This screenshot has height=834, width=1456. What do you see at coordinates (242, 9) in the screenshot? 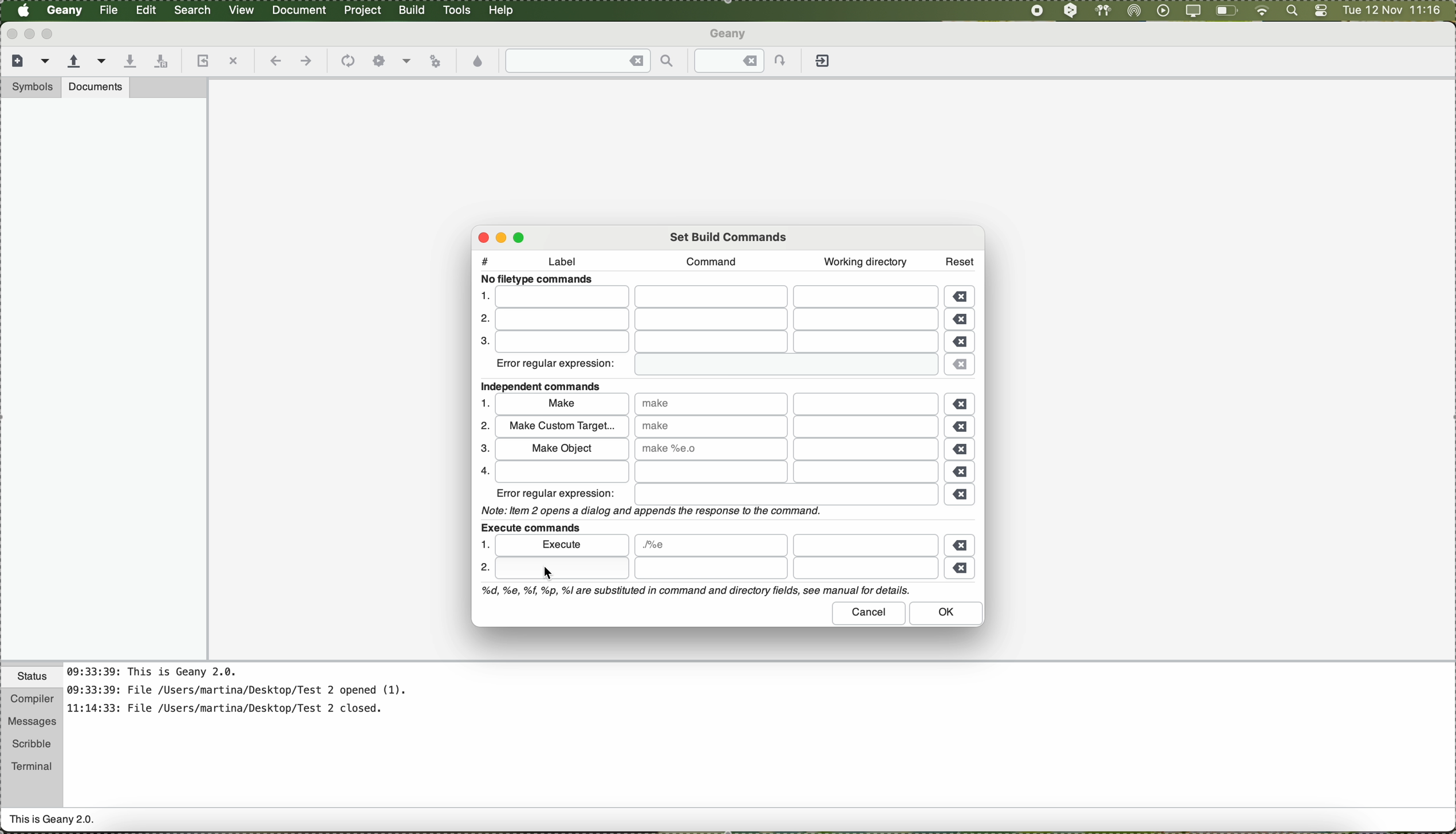
I see `view` at bounding box center [242, 9].